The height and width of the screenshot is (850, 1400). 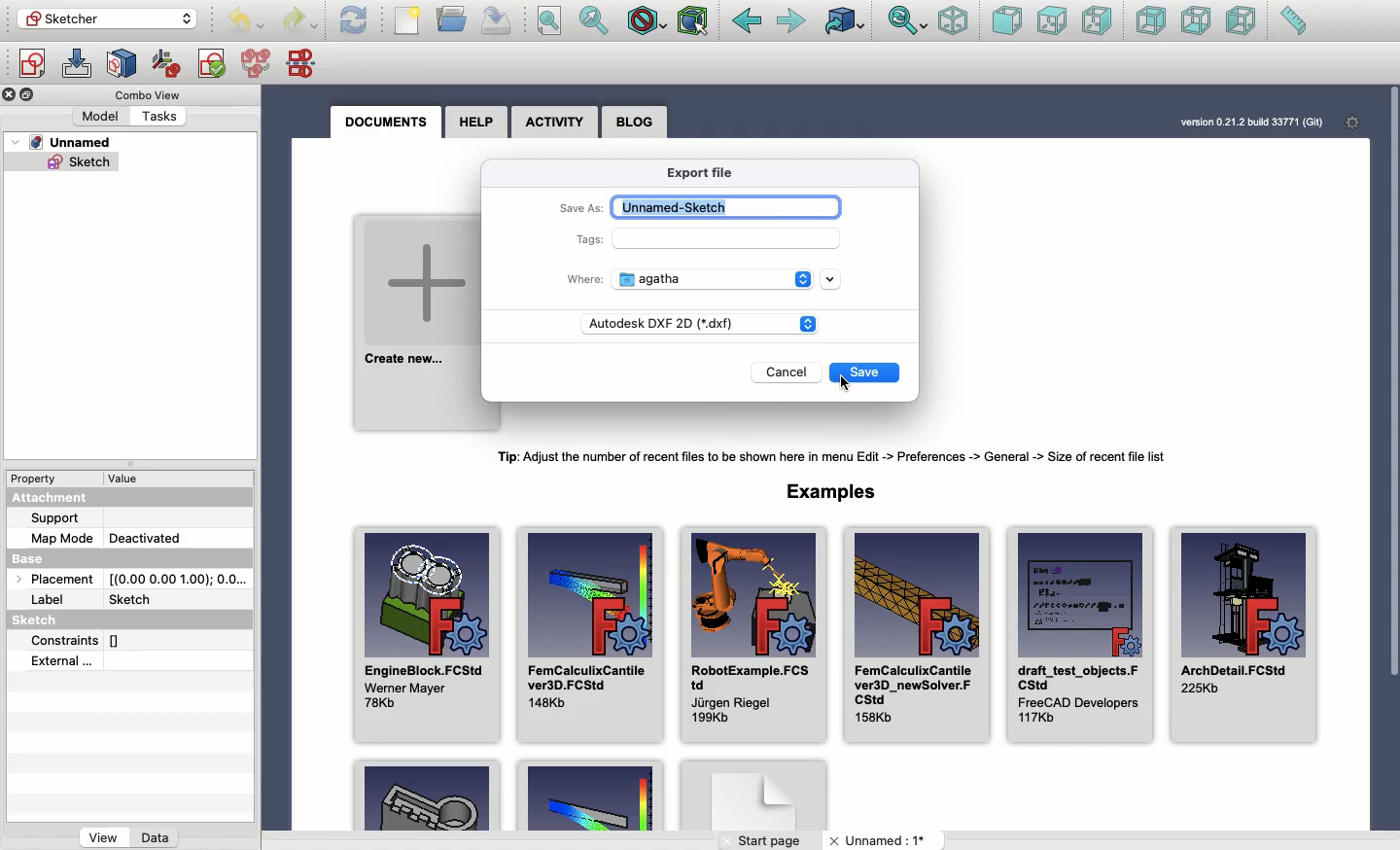 I want to click on Examples, so click(x=831, y=491).